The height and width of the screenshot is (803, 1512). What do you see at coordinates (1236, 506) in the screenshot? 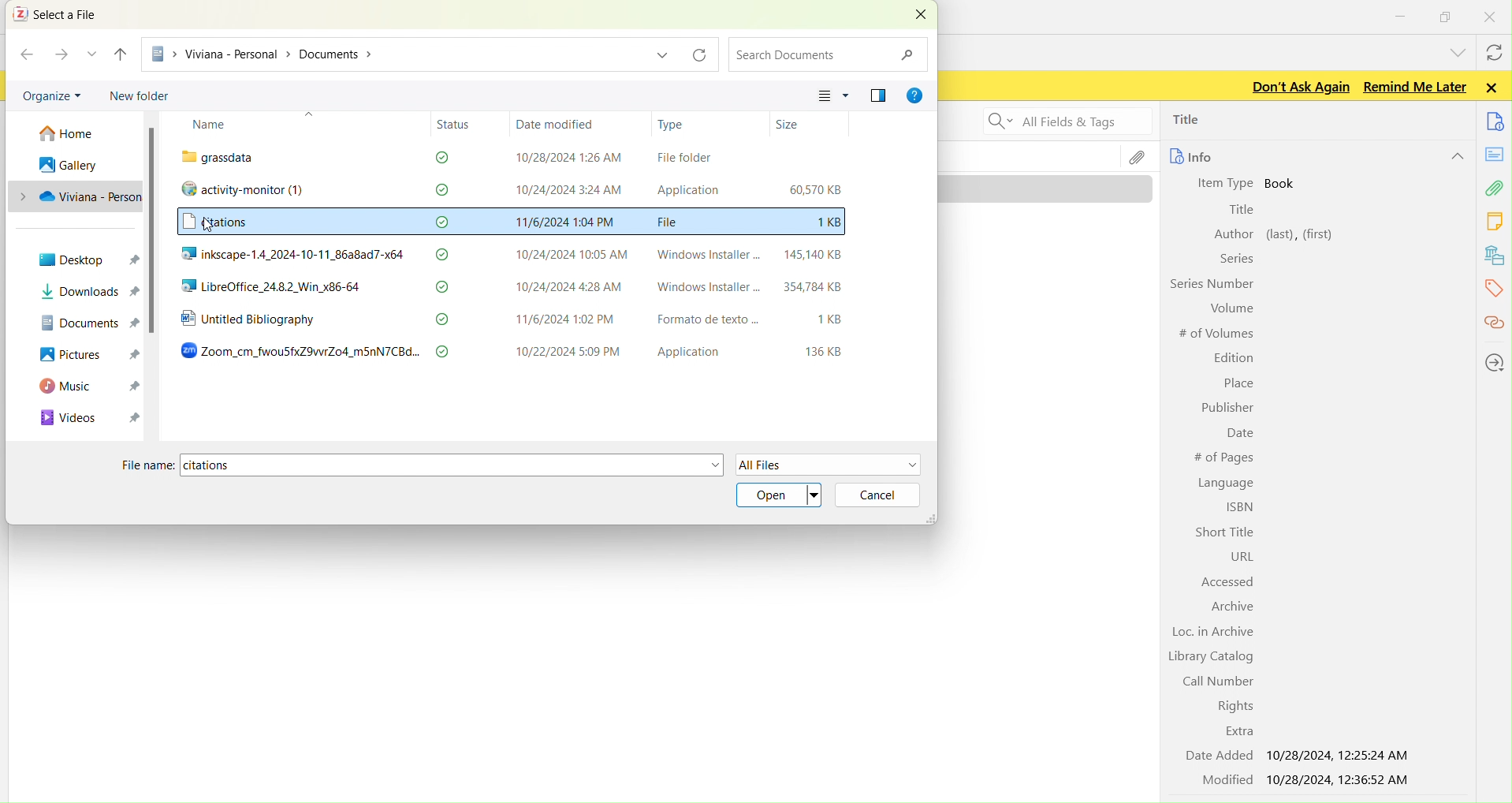
I see `ISBN` at bounding box center [1236, 506].